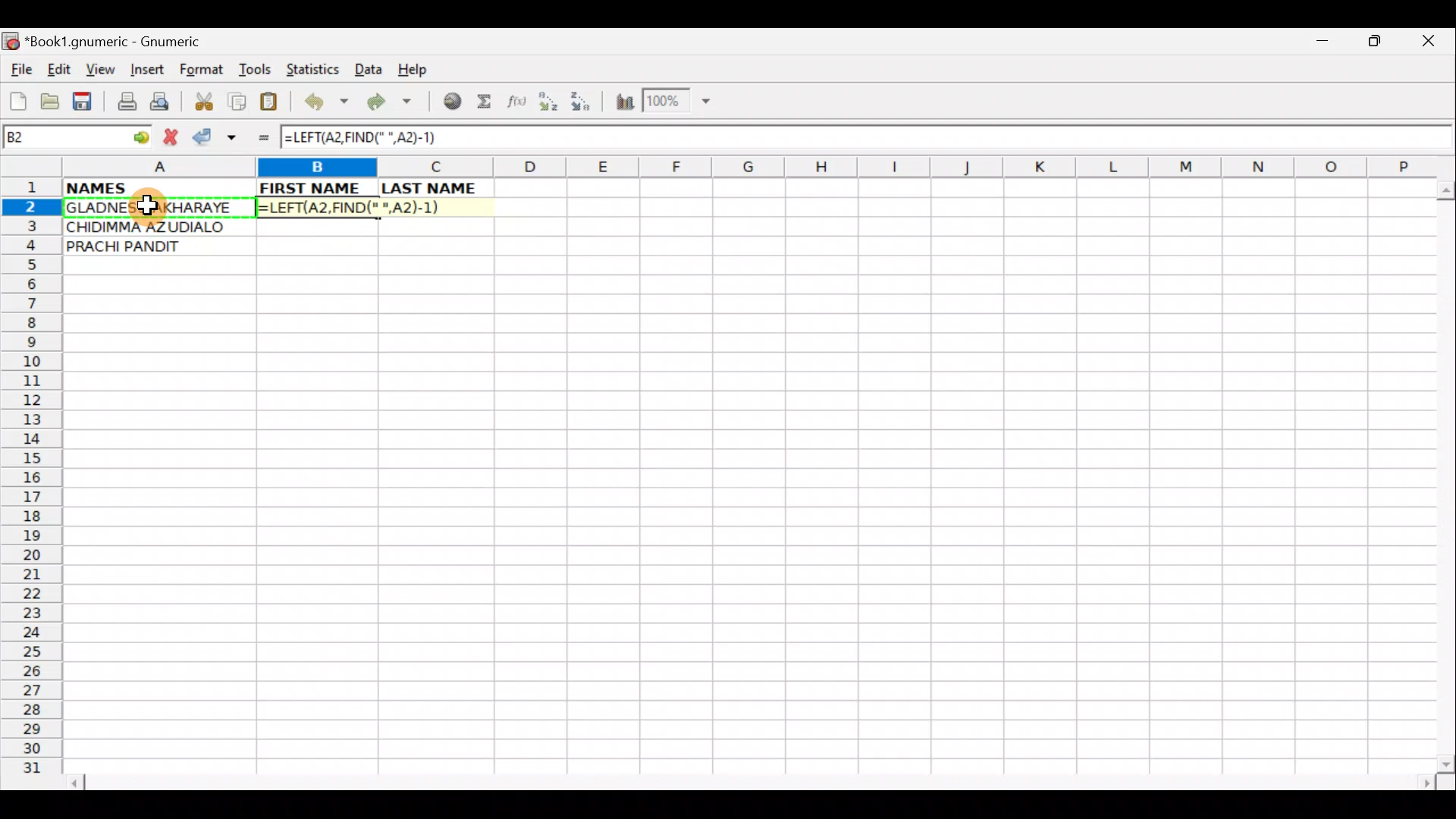 Image resolution: width=1456 pixels, height=819 pixels. I want to click on Columns, so click(741, 167).